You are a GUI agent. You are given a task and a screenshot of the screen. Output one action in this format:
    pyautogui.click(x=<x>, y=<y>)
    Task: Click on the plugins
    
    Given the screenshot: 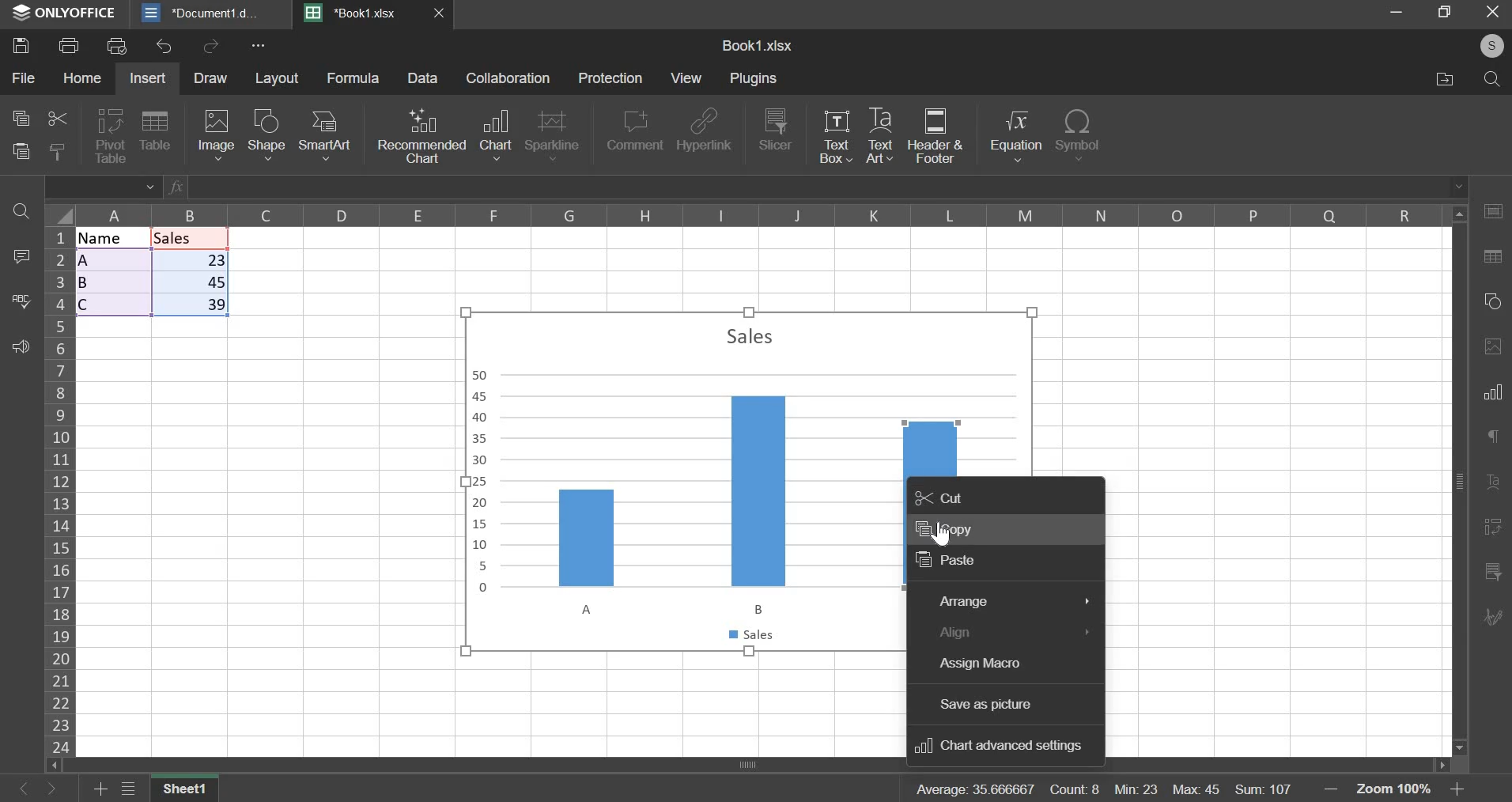 What is the action you would take?
    pyautogui.click(x=758, y=78)
    